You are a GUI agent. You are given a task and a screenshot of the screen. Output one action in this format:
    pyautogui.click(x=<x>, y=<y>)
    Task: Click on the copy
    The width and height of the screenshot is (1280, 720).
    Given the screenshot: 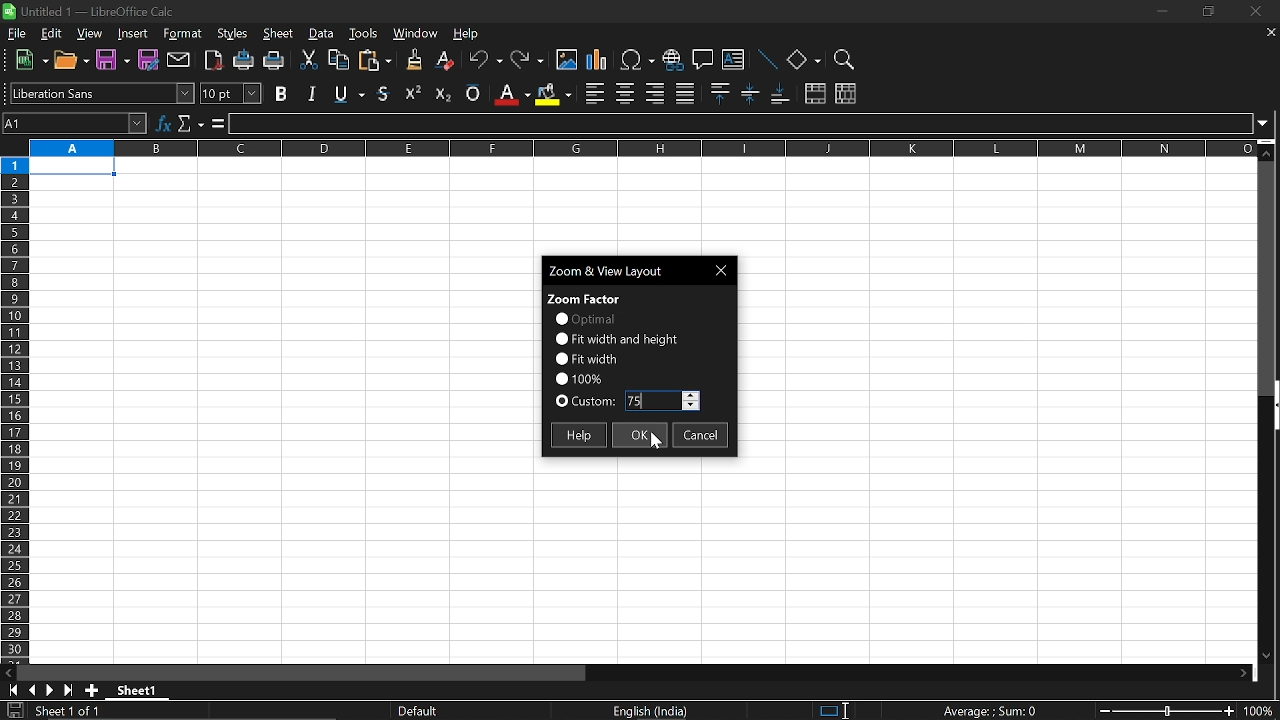 What is the action you would take?
    pyautogui.click(x=337, y=63)
    